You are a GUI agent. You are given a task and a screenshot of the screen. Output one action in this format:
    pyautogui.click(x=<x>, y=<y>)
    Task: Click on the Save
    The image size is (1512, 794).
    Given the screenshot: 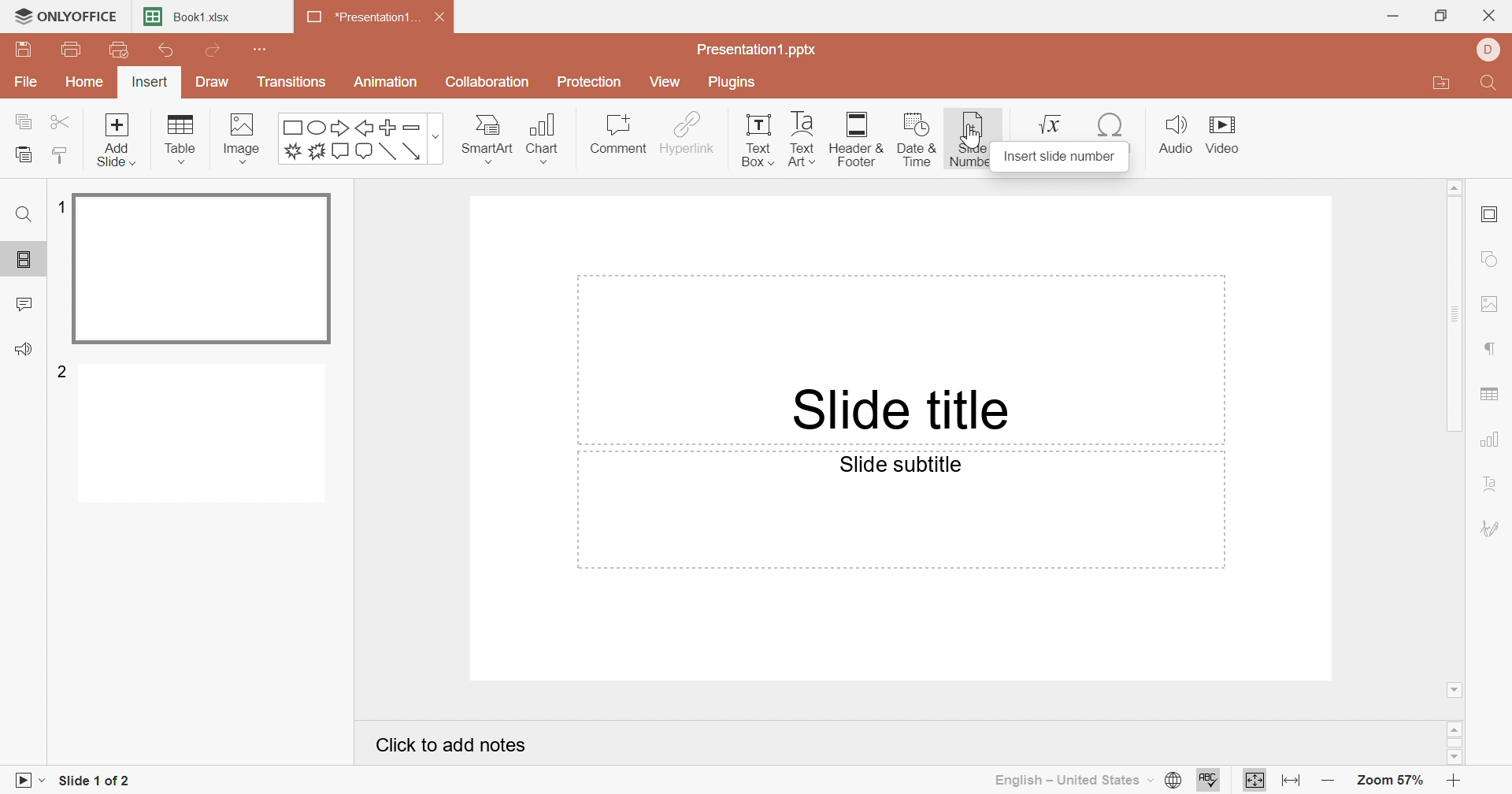 What is the action you would take?
    pyautogui.click(x=23, y=50)
    